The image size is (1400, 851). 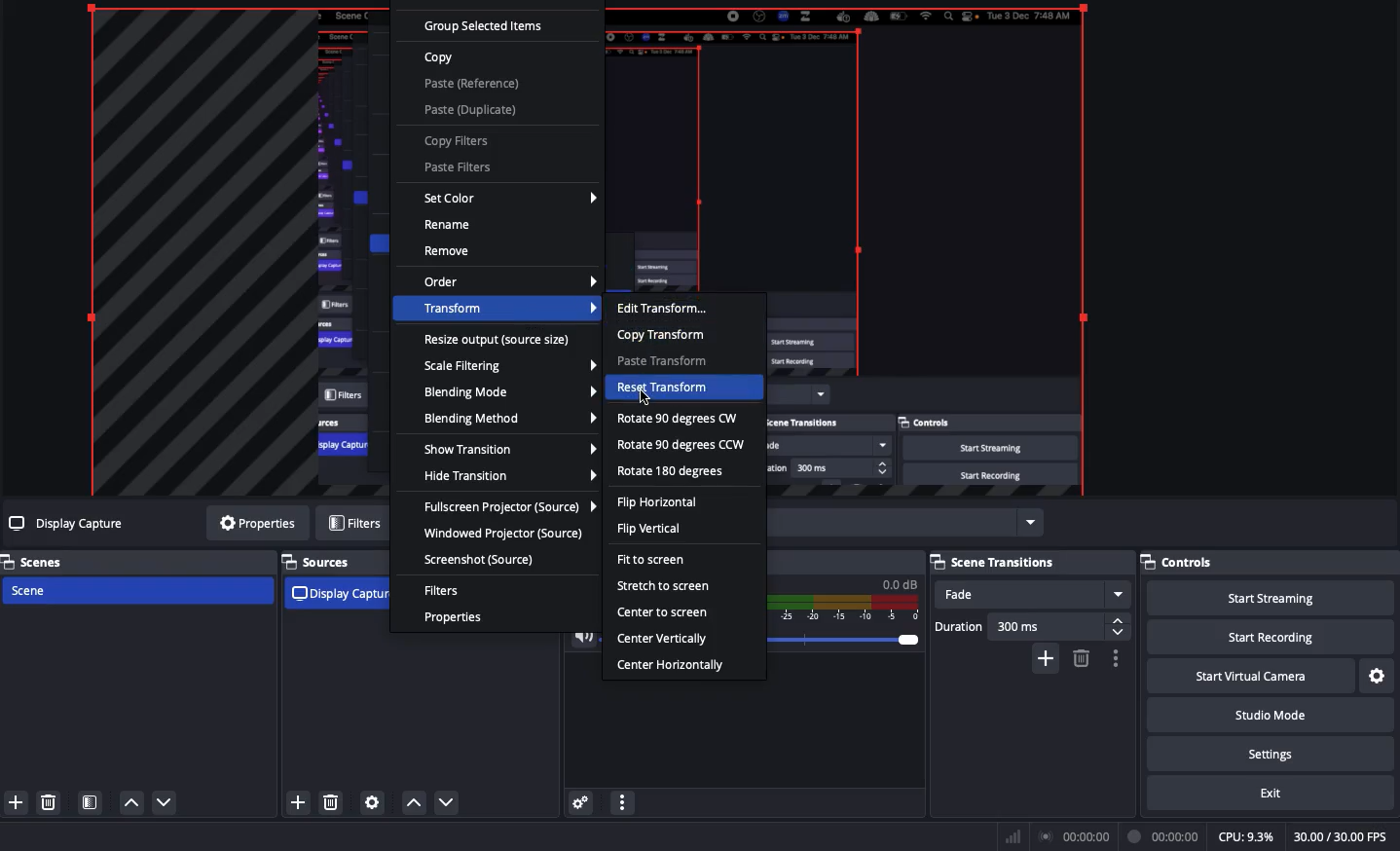 I want to click on Settings, so click(x=1269, y=754).